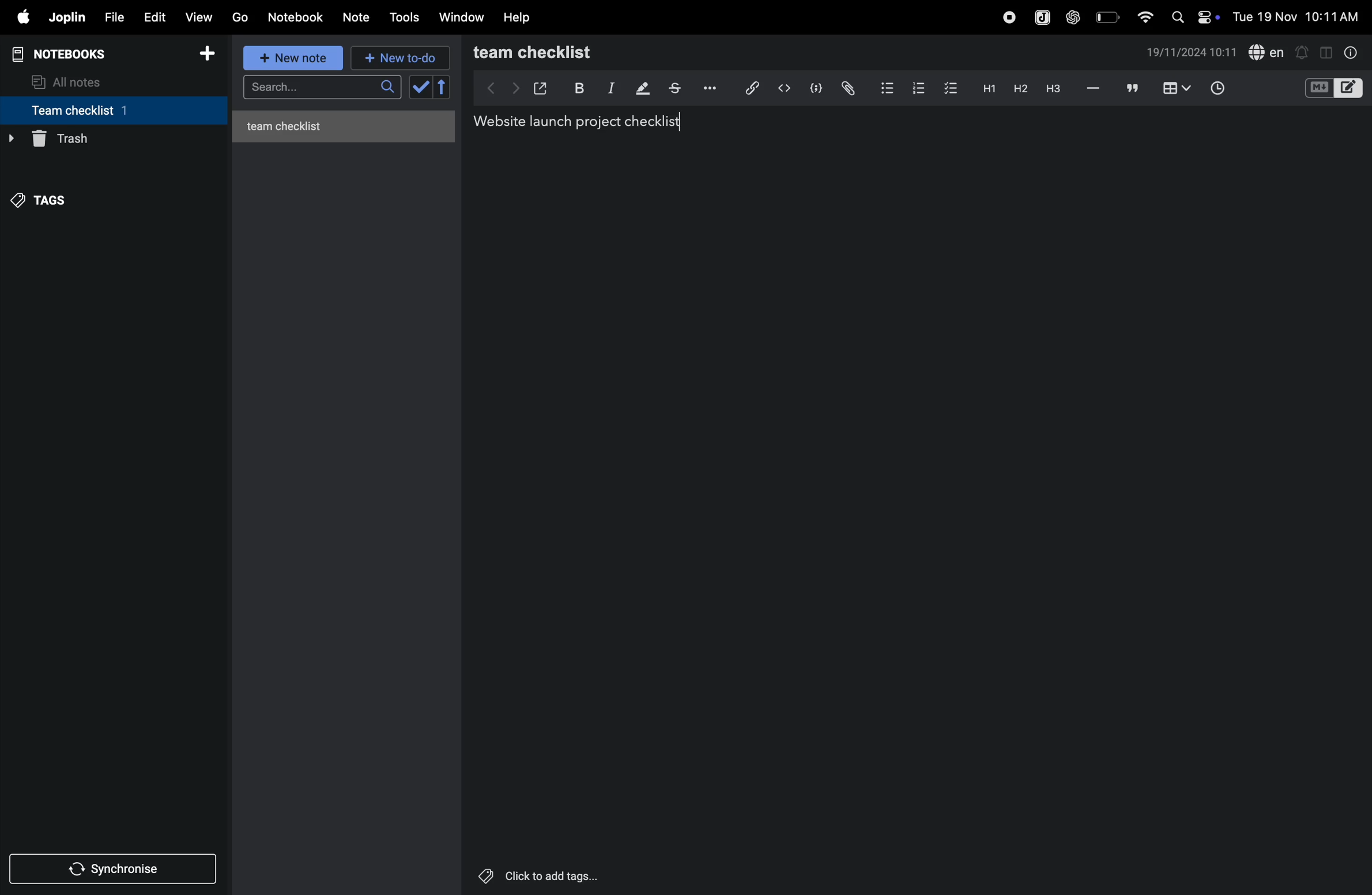  What do you see at coordinates (1348, 52) in the screenshot?
I see `info` at bounding box center [1348, 52].